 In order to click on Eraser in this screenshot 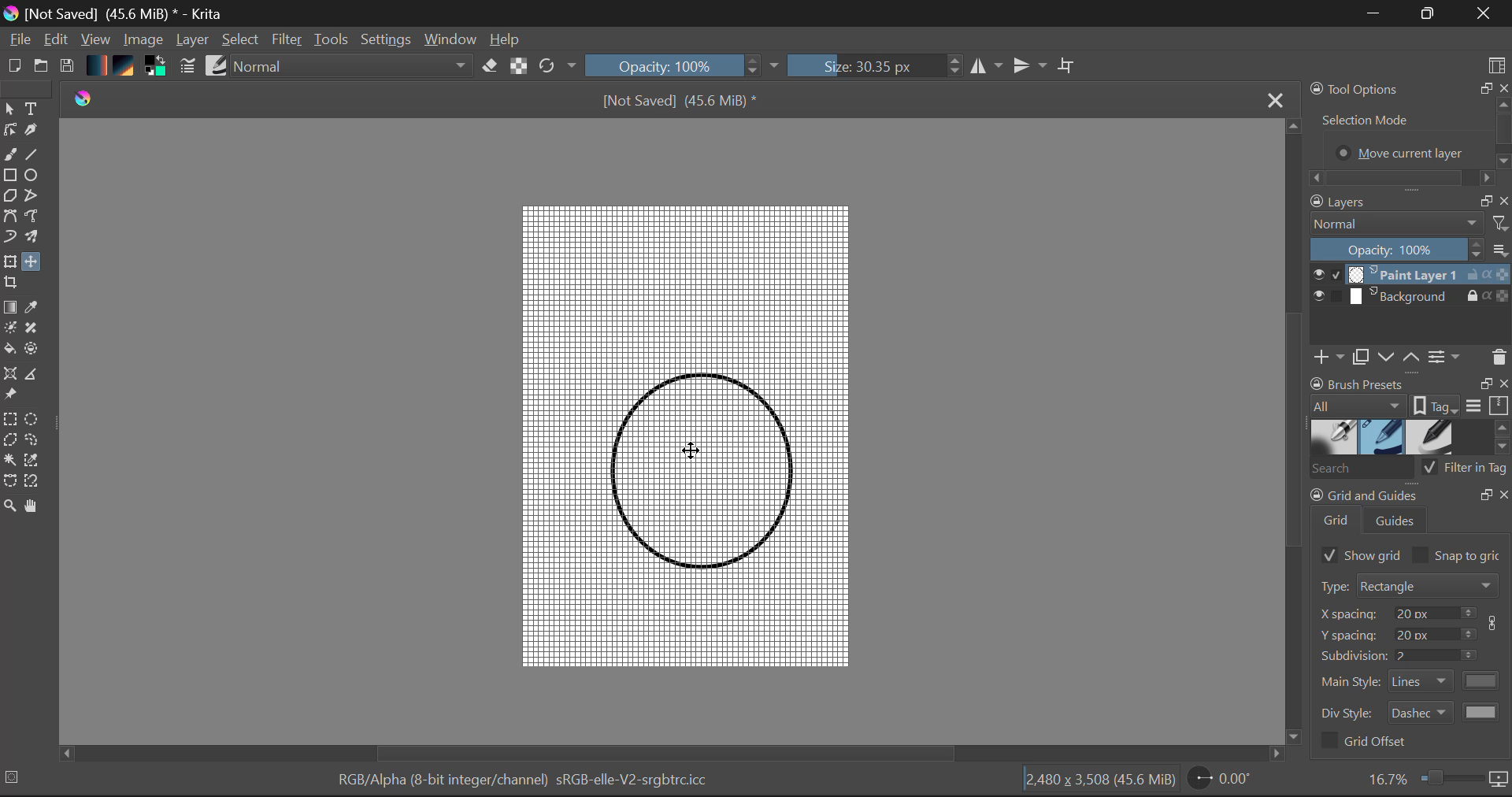, I will do `click(491, 67)`.